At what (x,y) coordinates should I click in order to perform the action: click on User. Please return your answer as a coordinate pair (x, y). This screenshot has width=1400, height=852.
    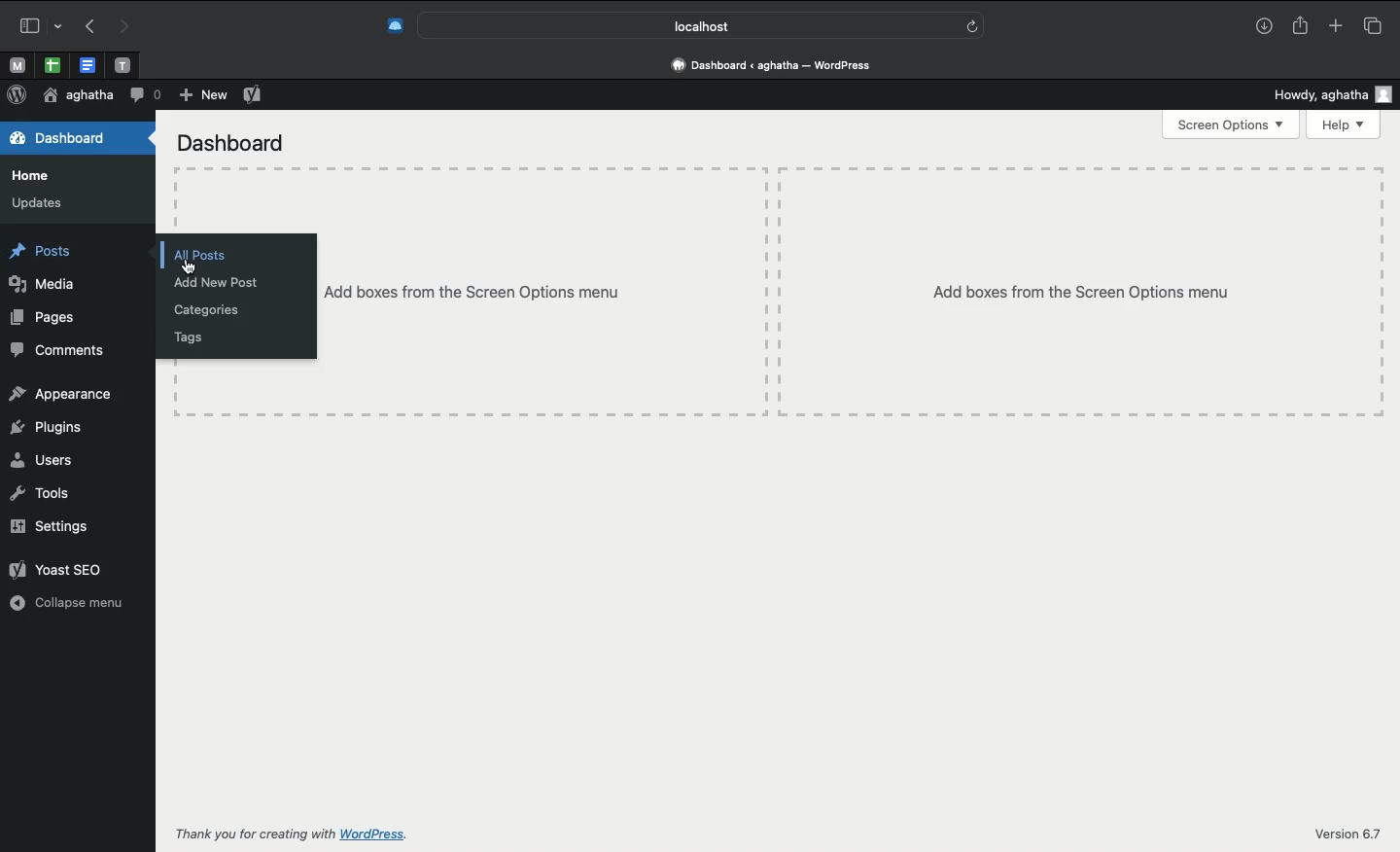
    Looking at the image, I should click on (76, 96).